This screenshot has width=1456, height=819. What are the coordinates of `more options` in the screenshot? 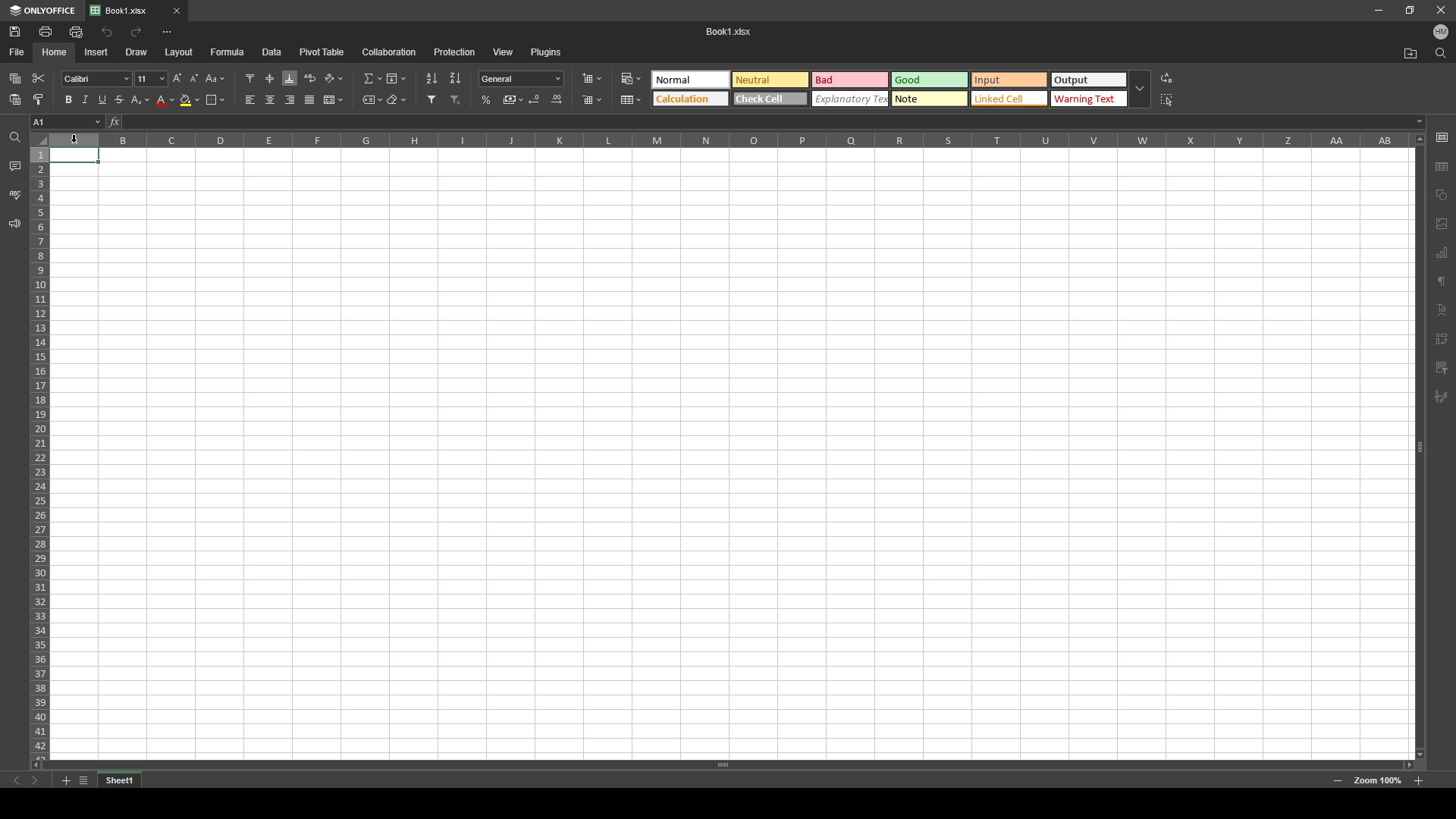 It's located at (167, 32).